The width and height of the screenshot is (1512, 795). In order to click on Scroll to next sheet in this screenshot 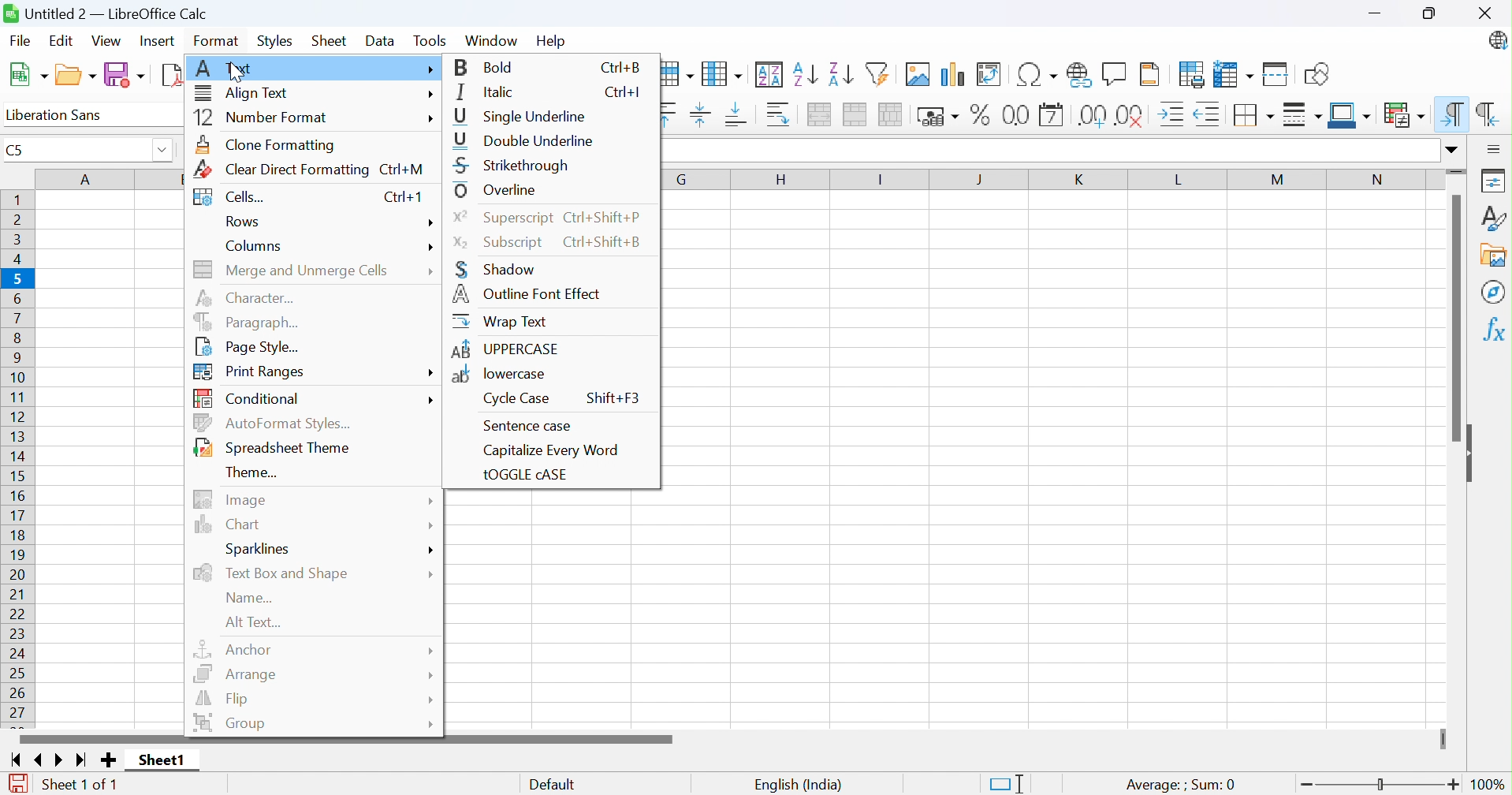, I will do `click(58, 762)`.